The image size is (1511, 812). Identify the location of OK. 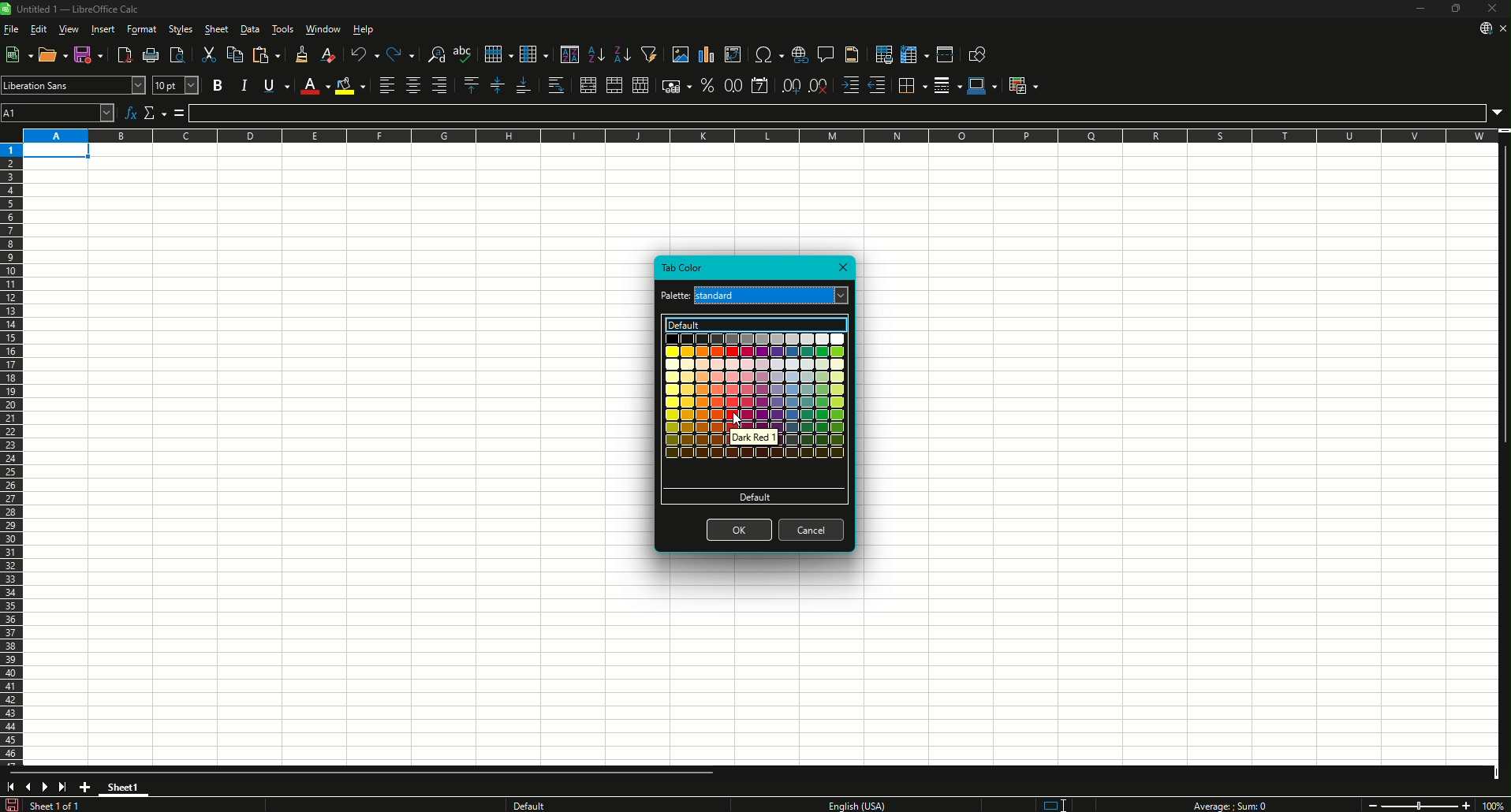
(740, 530).